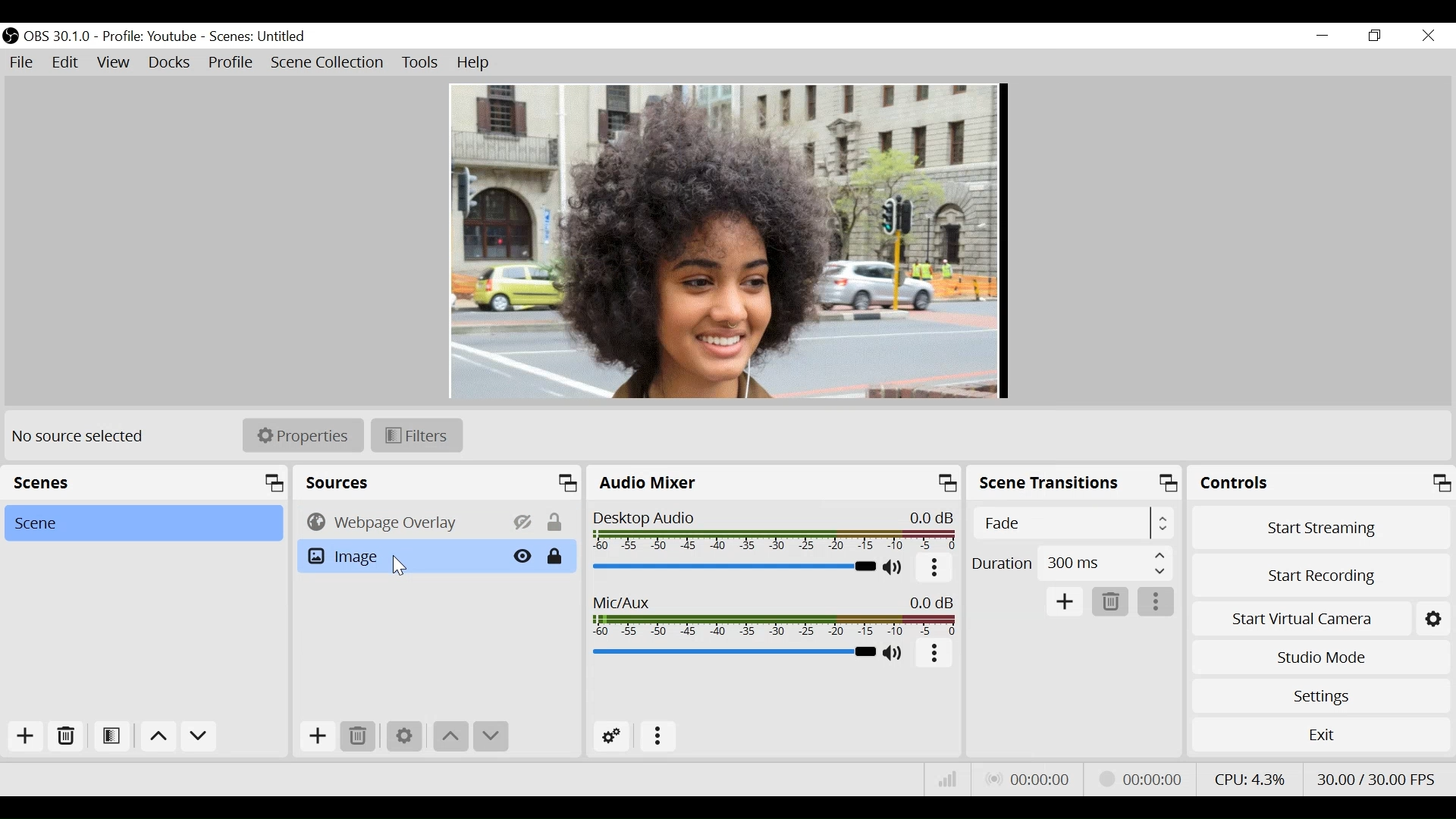 The image size is (1456, 819). I want to click on Move down, so click(491, 736).